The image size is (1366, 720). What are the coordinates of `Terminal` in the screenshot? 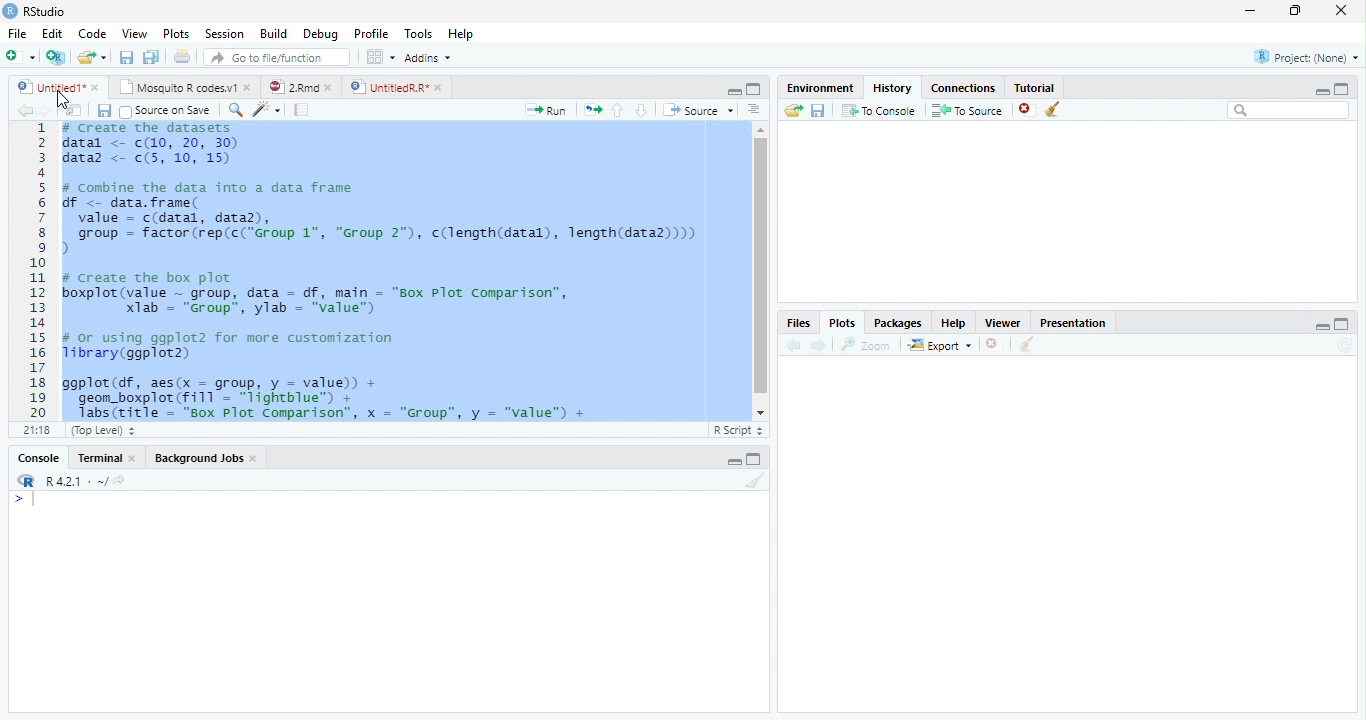 It's located at (95, 458).